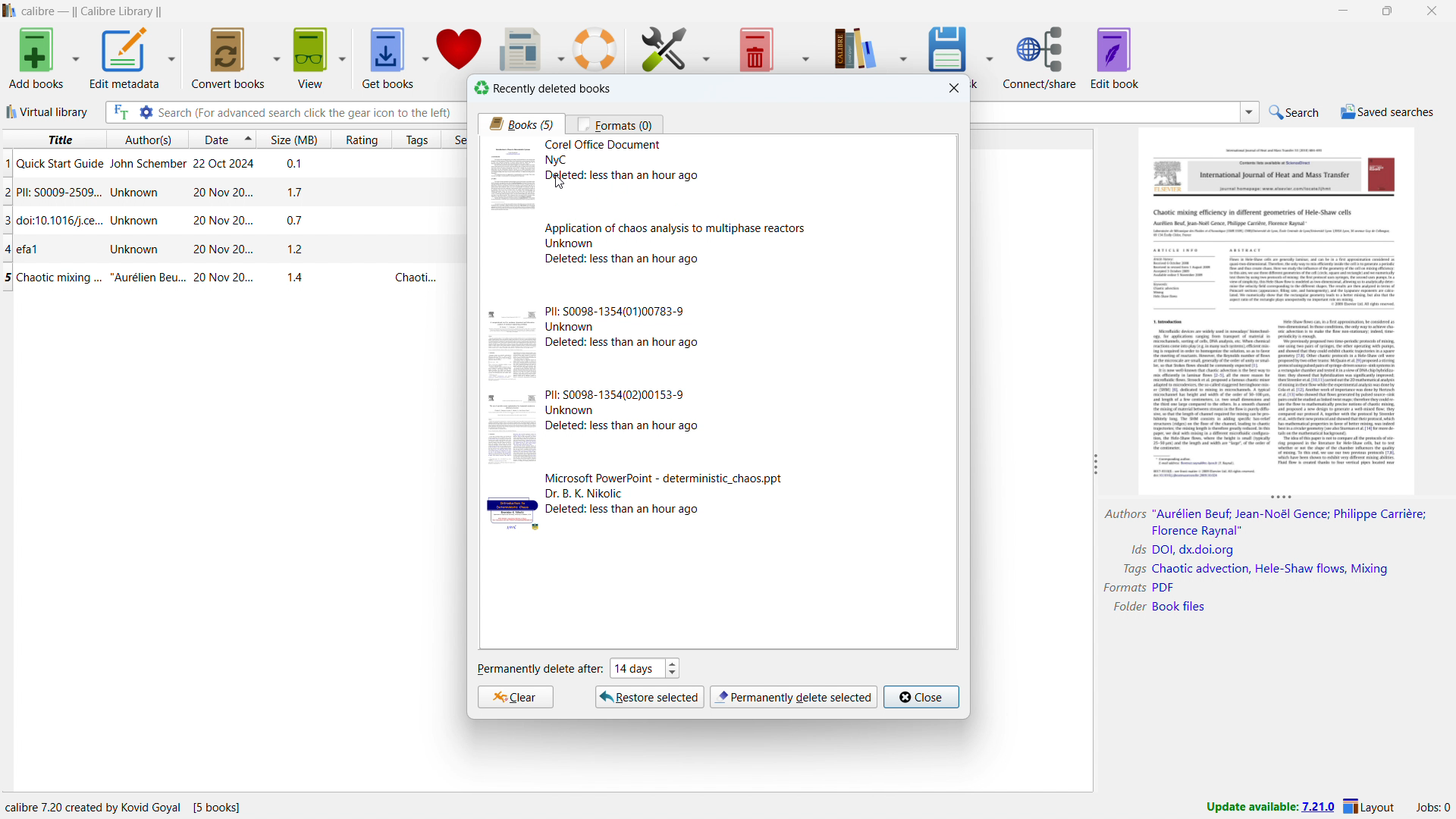  I want to click on one deleted book, so click(718, 177).